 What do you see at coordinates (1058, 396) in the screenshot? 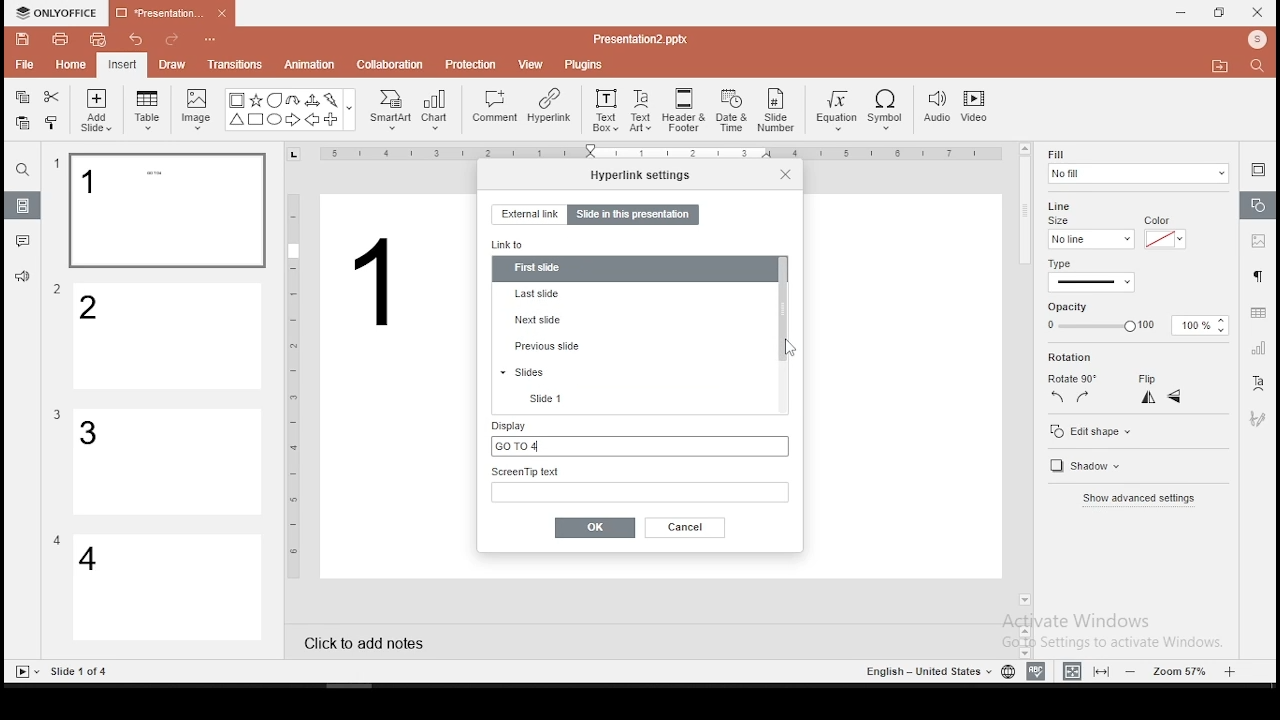
I see `rotate 90 counterclockwise` at bounding box center [1058, 396].